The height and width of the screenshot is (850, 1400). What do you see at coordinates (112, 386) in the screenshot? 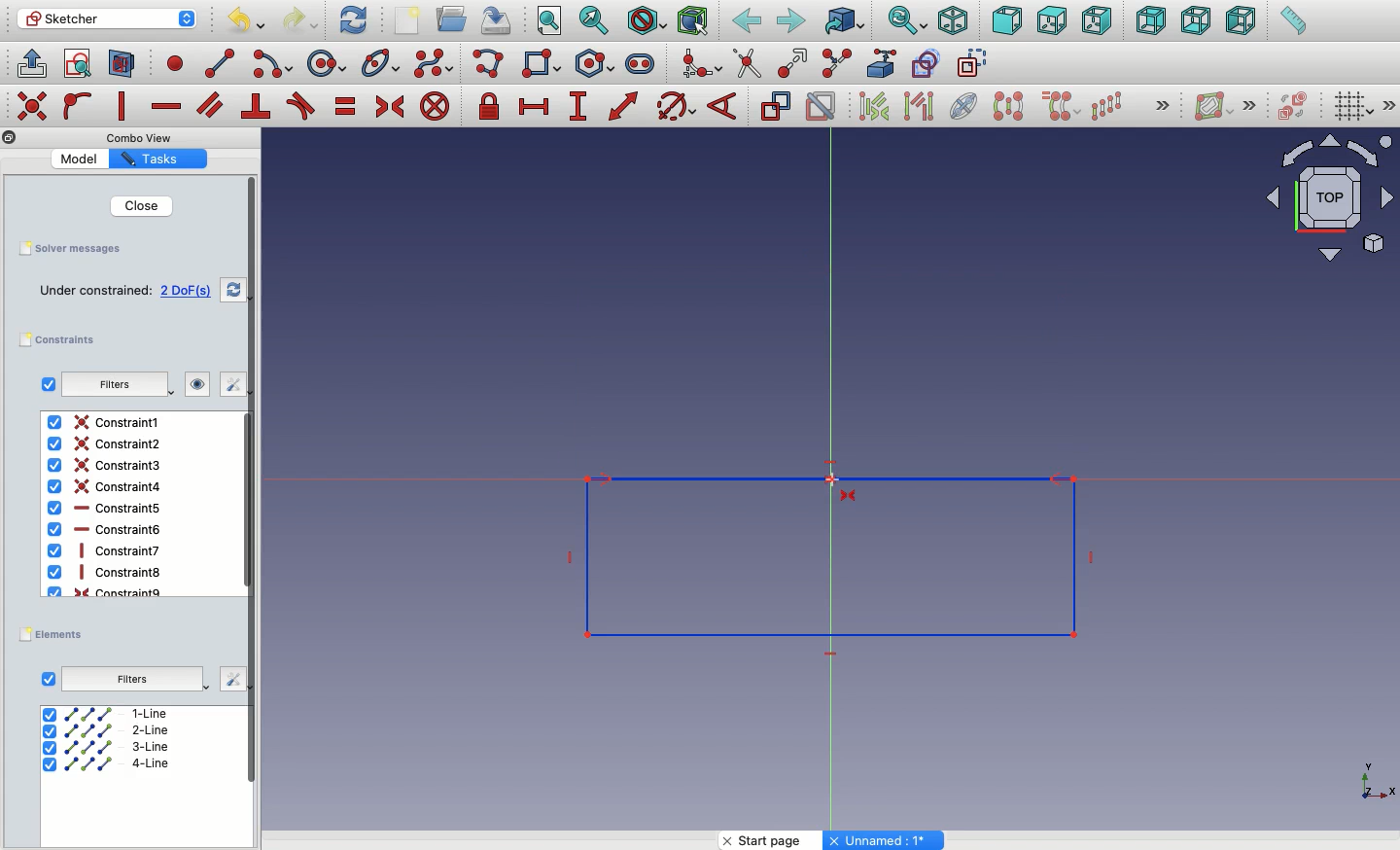
I see `filters` at bounding box center [112, 386].